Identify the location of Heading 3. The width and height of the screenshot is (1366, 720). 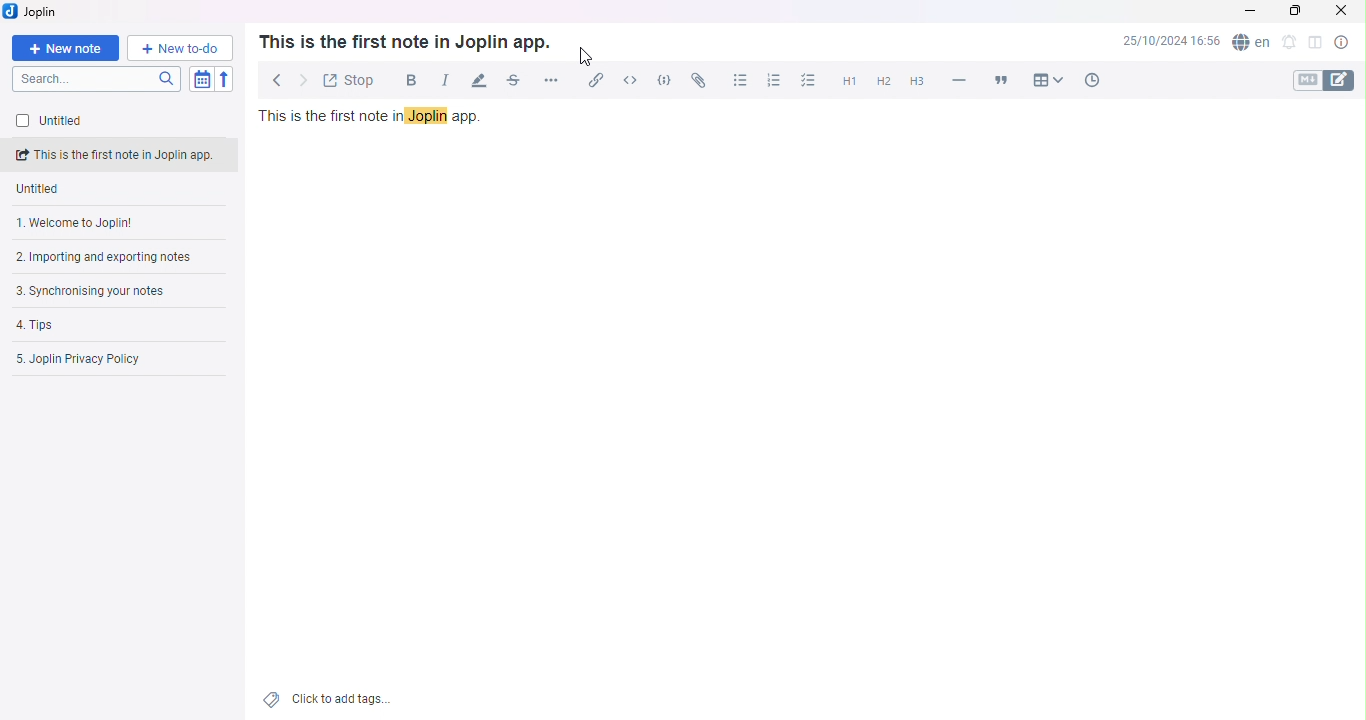
(915, 83).